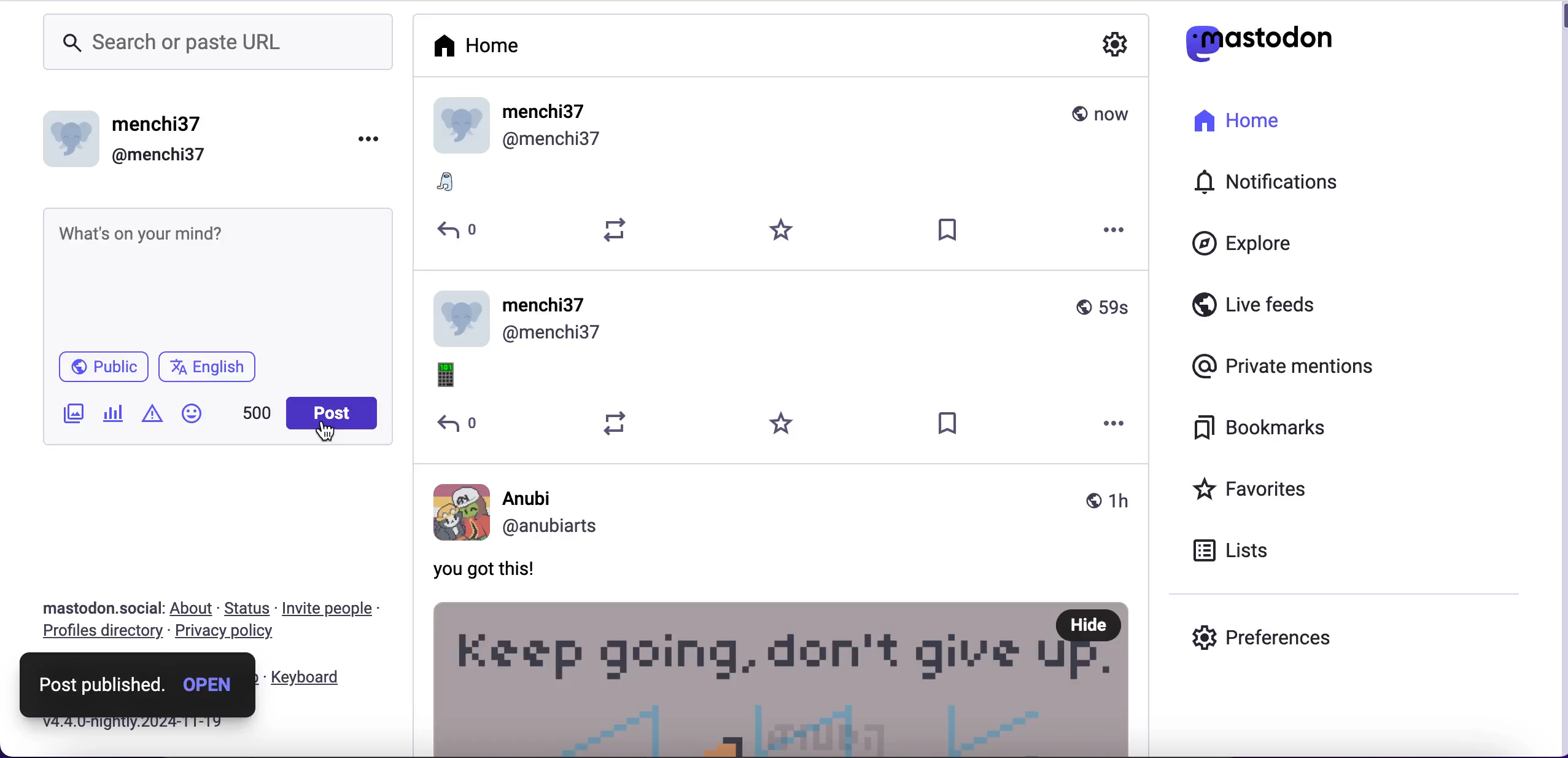 This screenshot has height=758, width=1568. Describe the element at coordinates (212, 684) in the screenshot. I see `open` at that location.